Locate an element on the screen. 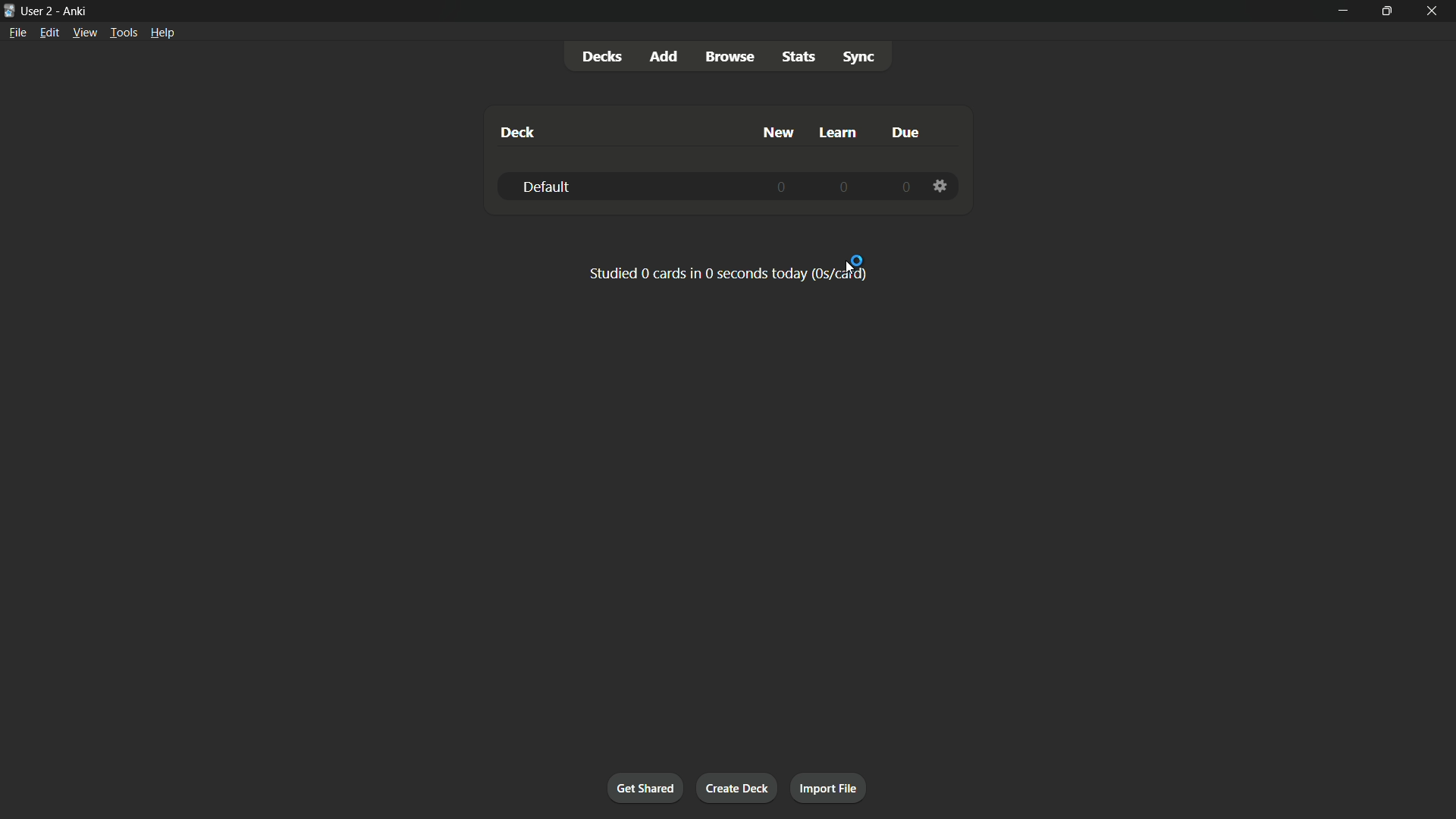  deck is located at coordinates (518, 132).